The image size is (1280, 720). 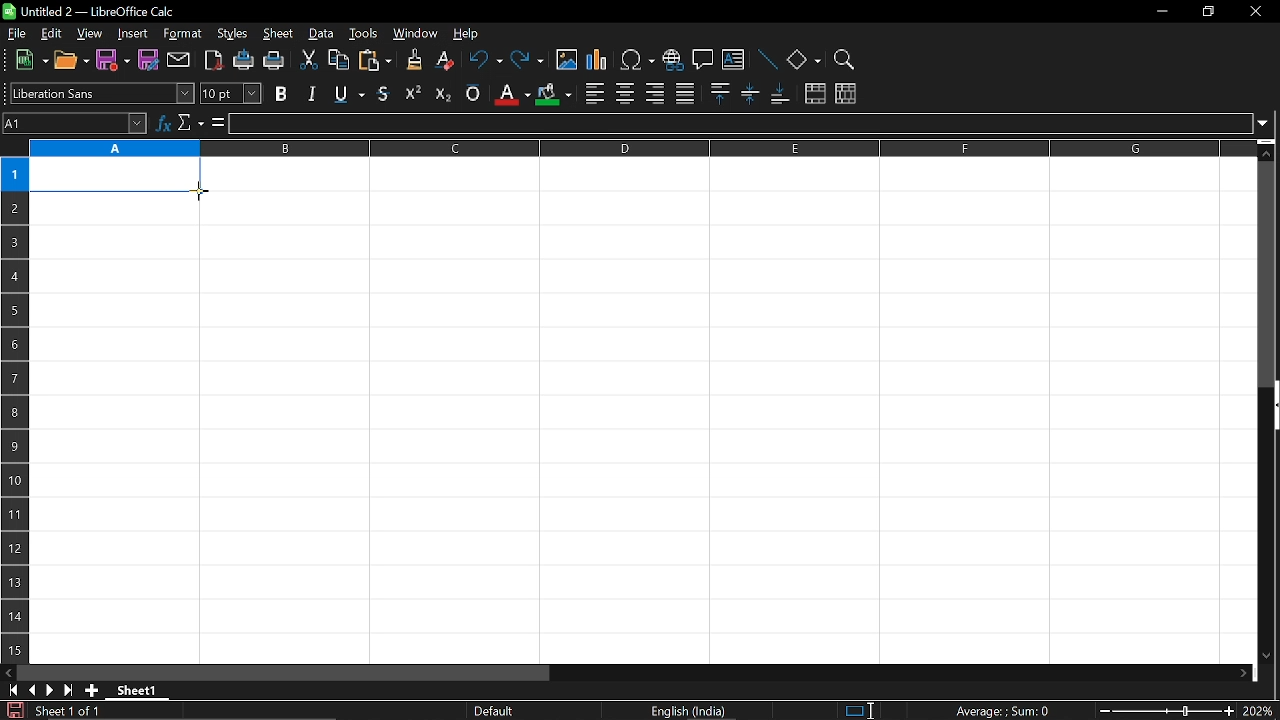 I want to click on Sheet 1 of 1, so click(x=68, y=711).